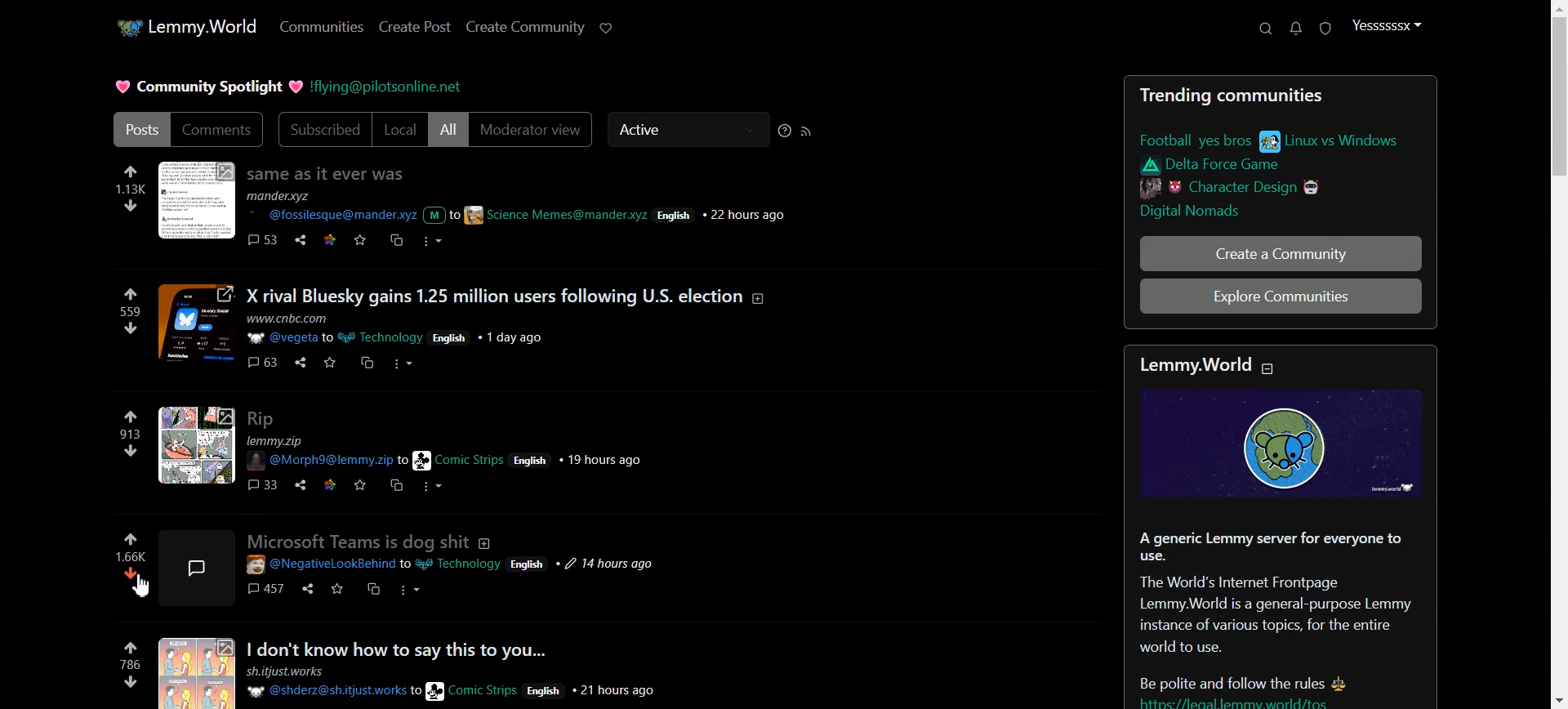 The width and height of the screenshot is (1568, 709). Describe the element at coordinates (551, 208) in the screenshot. I see `post details` at that location.